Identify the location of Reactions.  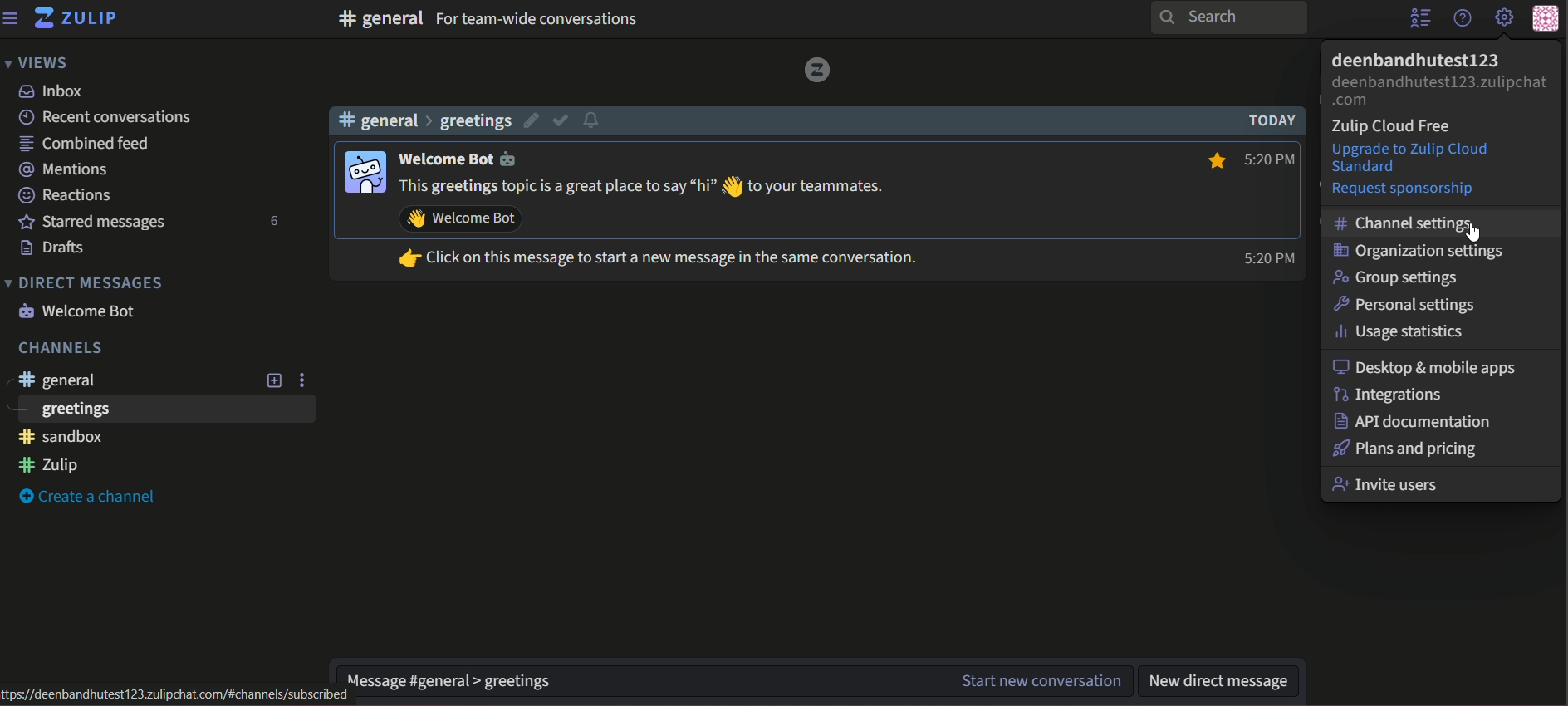
(66, 196).